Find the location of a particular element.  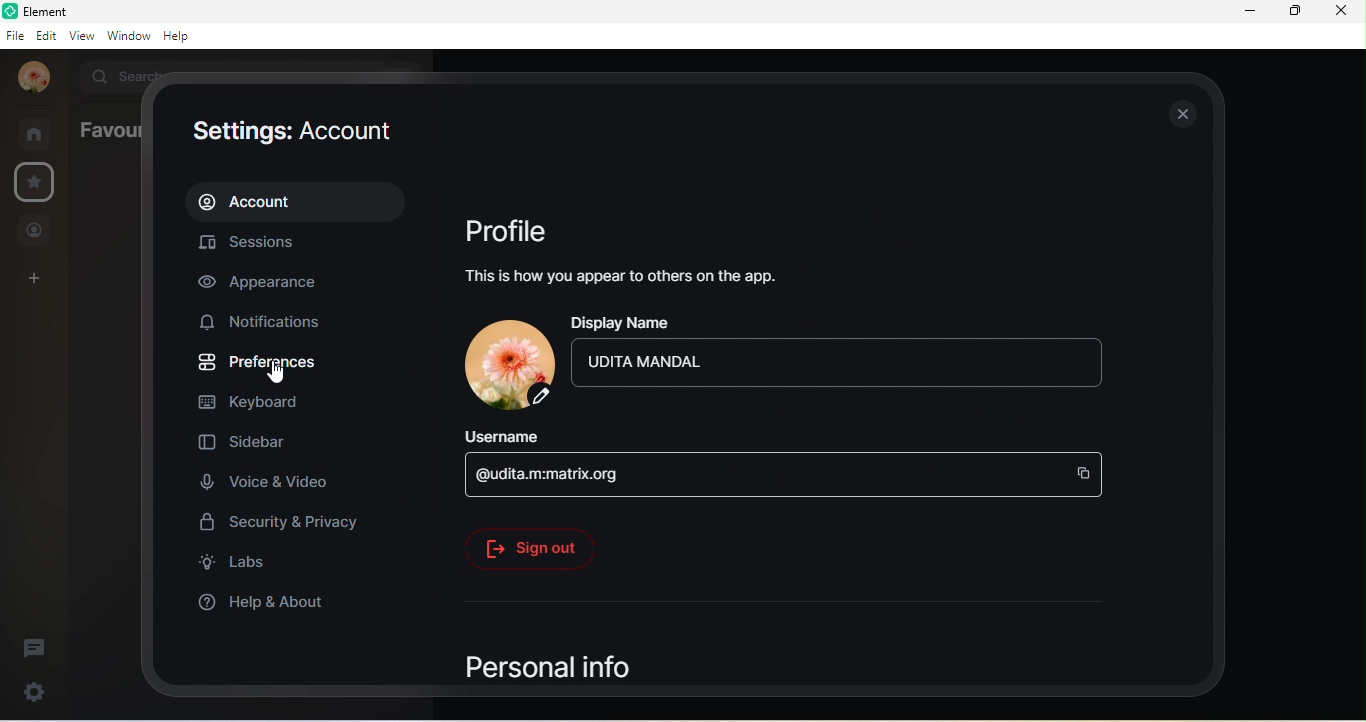

file is located at coordinates (14, 35).